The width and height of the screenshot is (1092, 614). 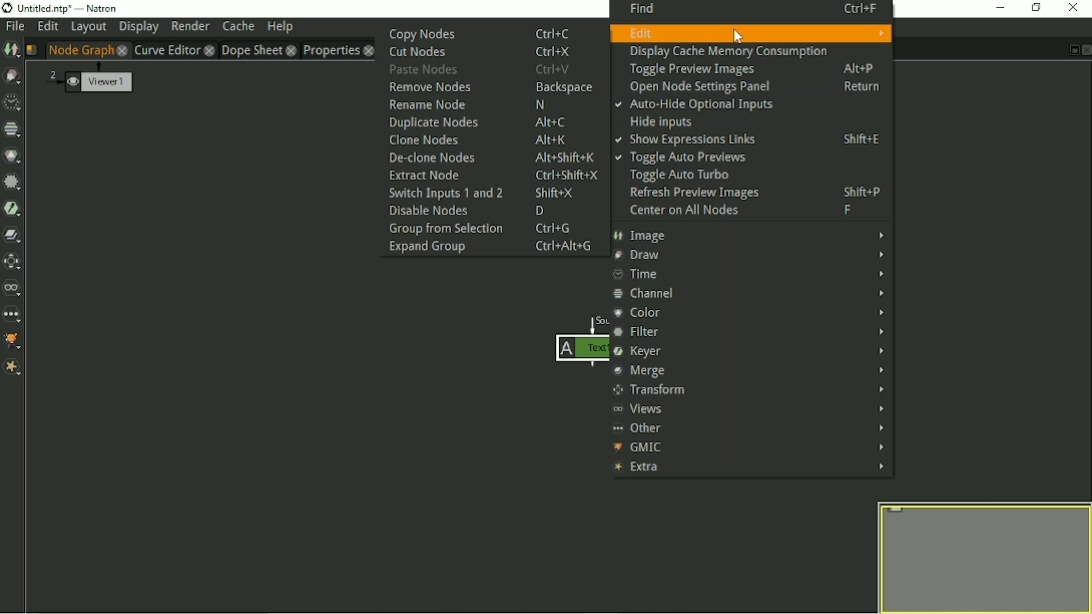 I want to click on close, so click(x=121, y=50).